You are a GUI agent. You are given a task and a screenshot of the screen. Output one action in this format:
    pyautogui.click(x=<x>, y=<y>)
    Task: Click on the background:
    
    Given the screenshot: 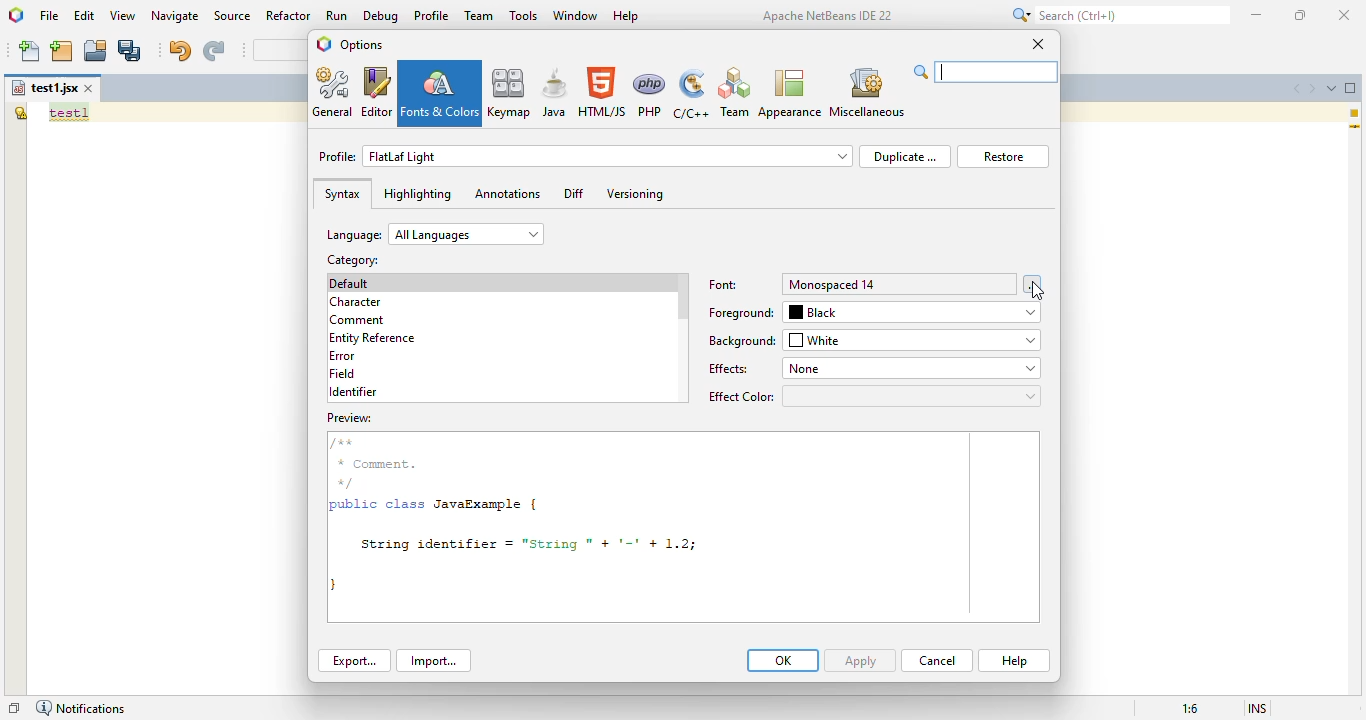 What is the action you would take?
    pyautogui.click(x=742, y=341)
    